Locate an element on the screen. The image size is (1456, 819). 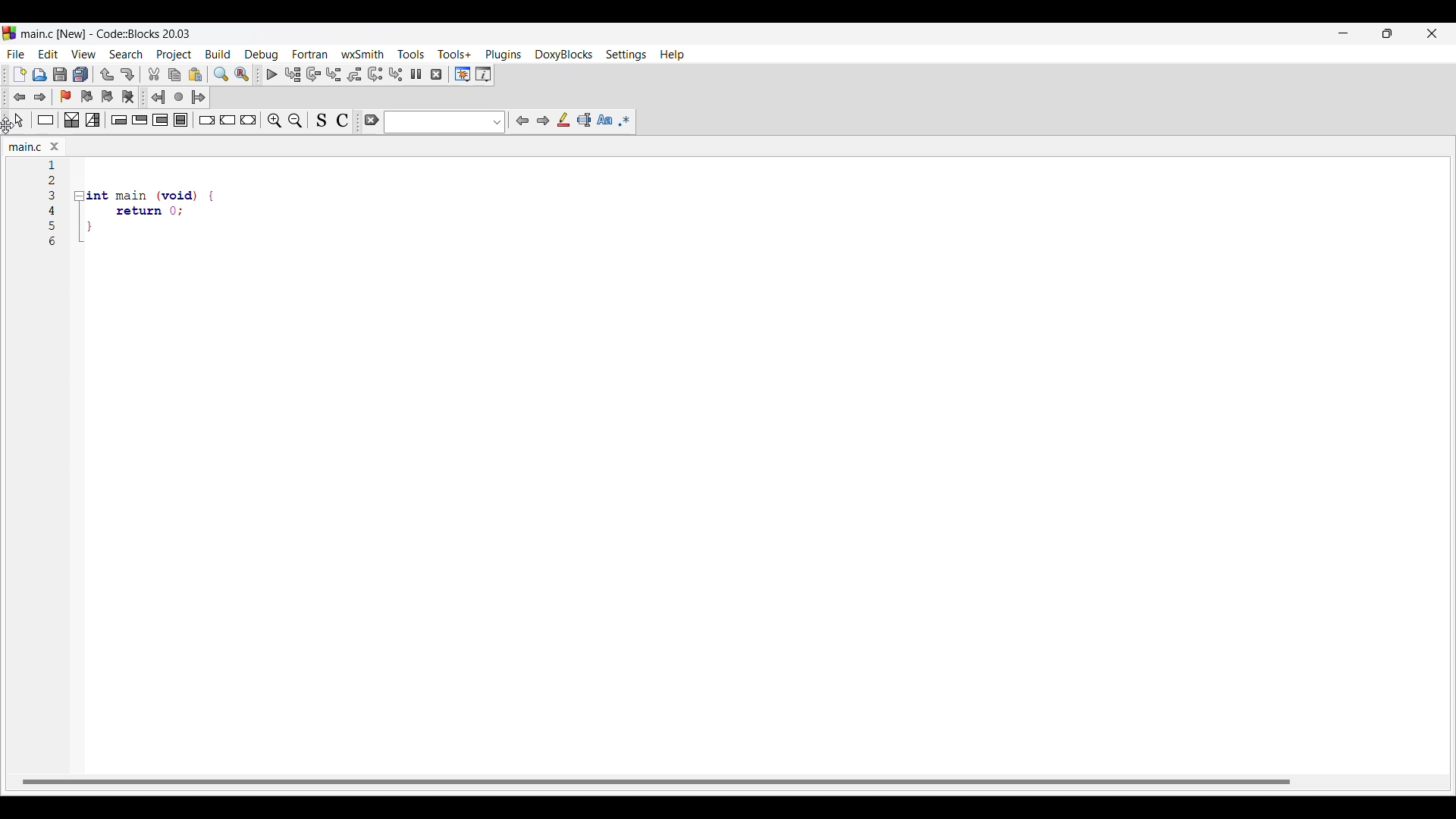
Match case is located at coordinates (604, 119).